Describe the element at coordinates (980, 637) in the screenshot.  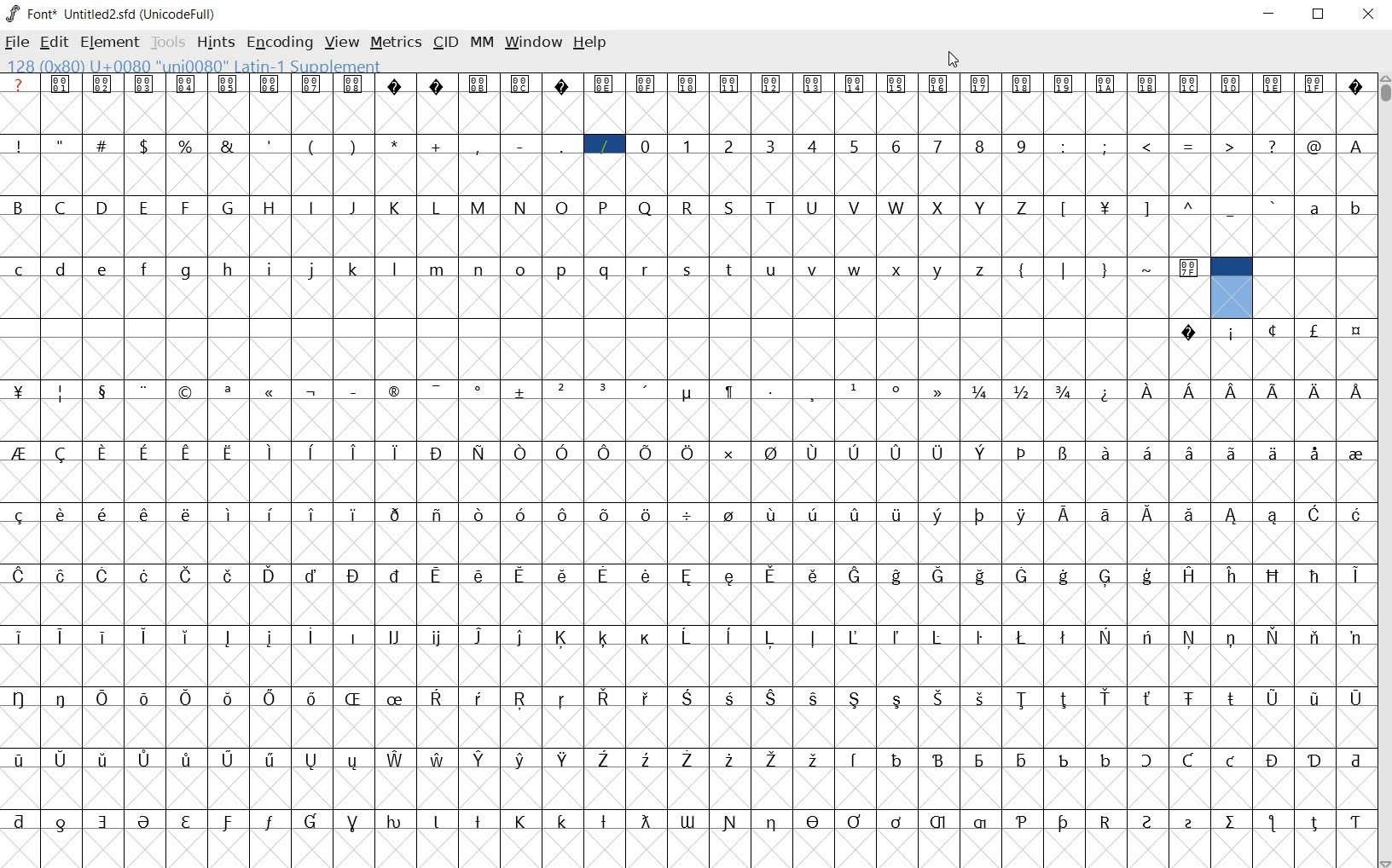
I see `Symbol` at that location.